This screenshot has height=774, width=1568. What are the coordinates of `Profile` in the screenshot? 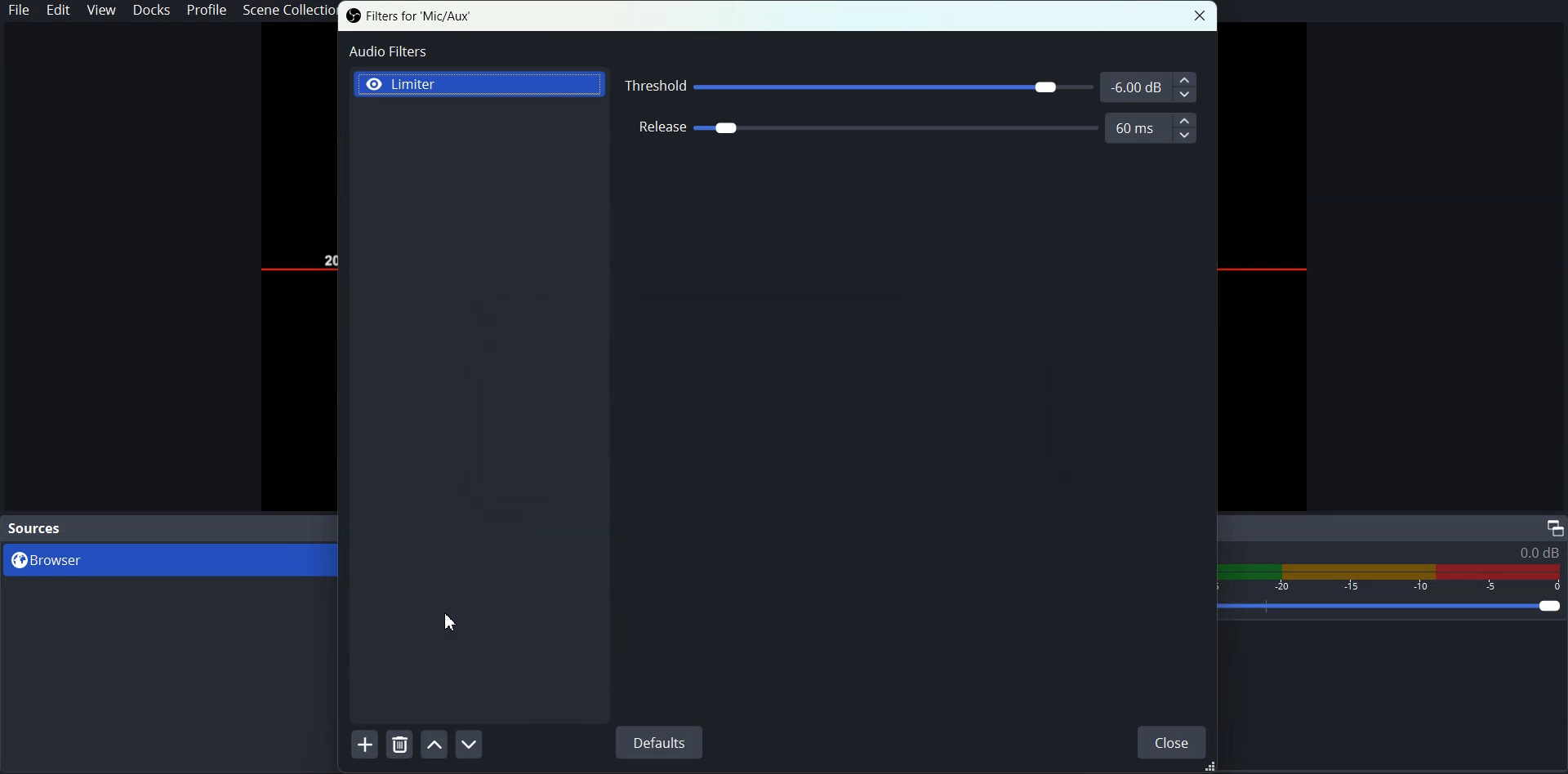 It's located at (207, 11).